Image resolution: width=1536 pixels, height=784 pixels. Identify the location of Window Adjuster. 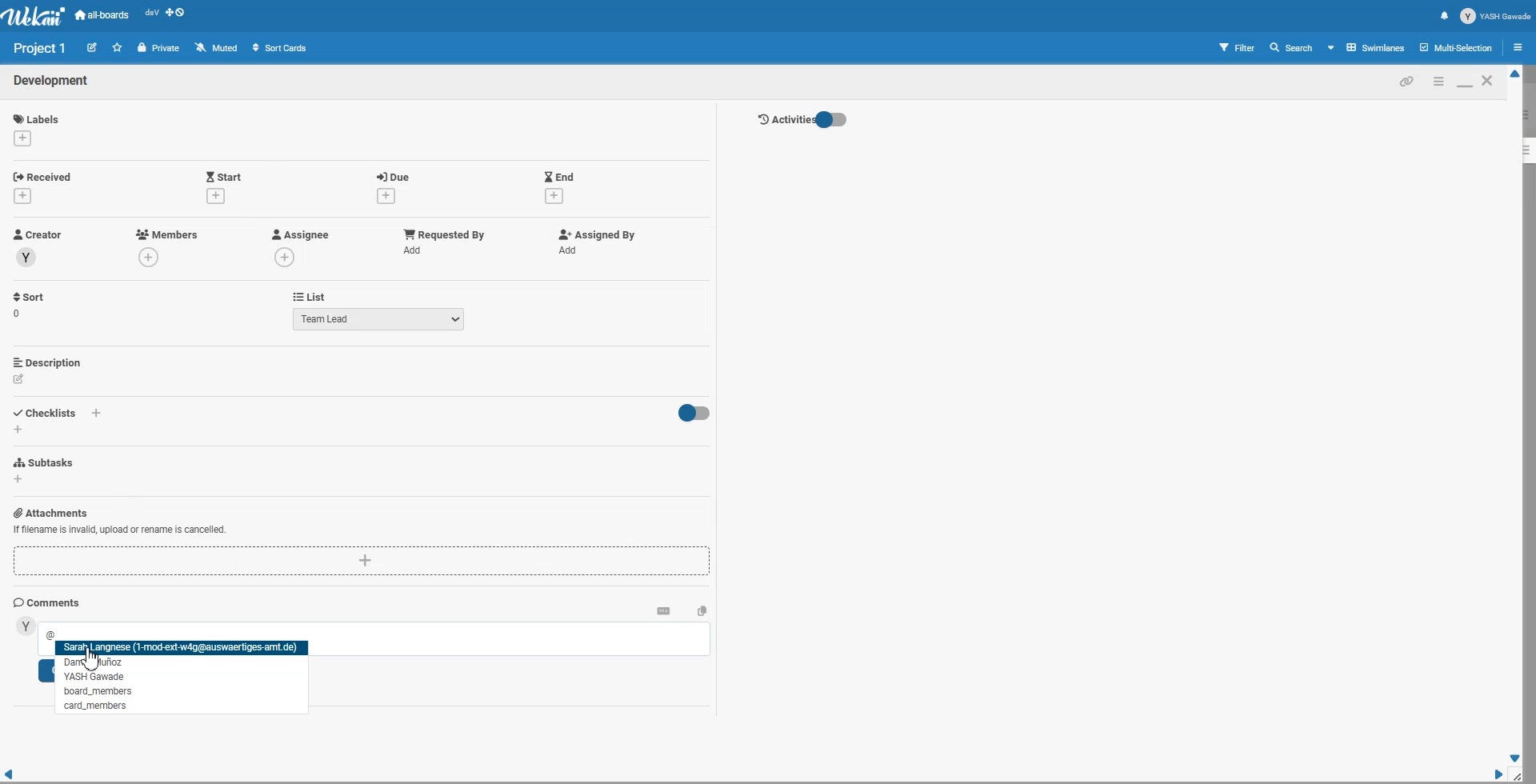
(1521, 776).